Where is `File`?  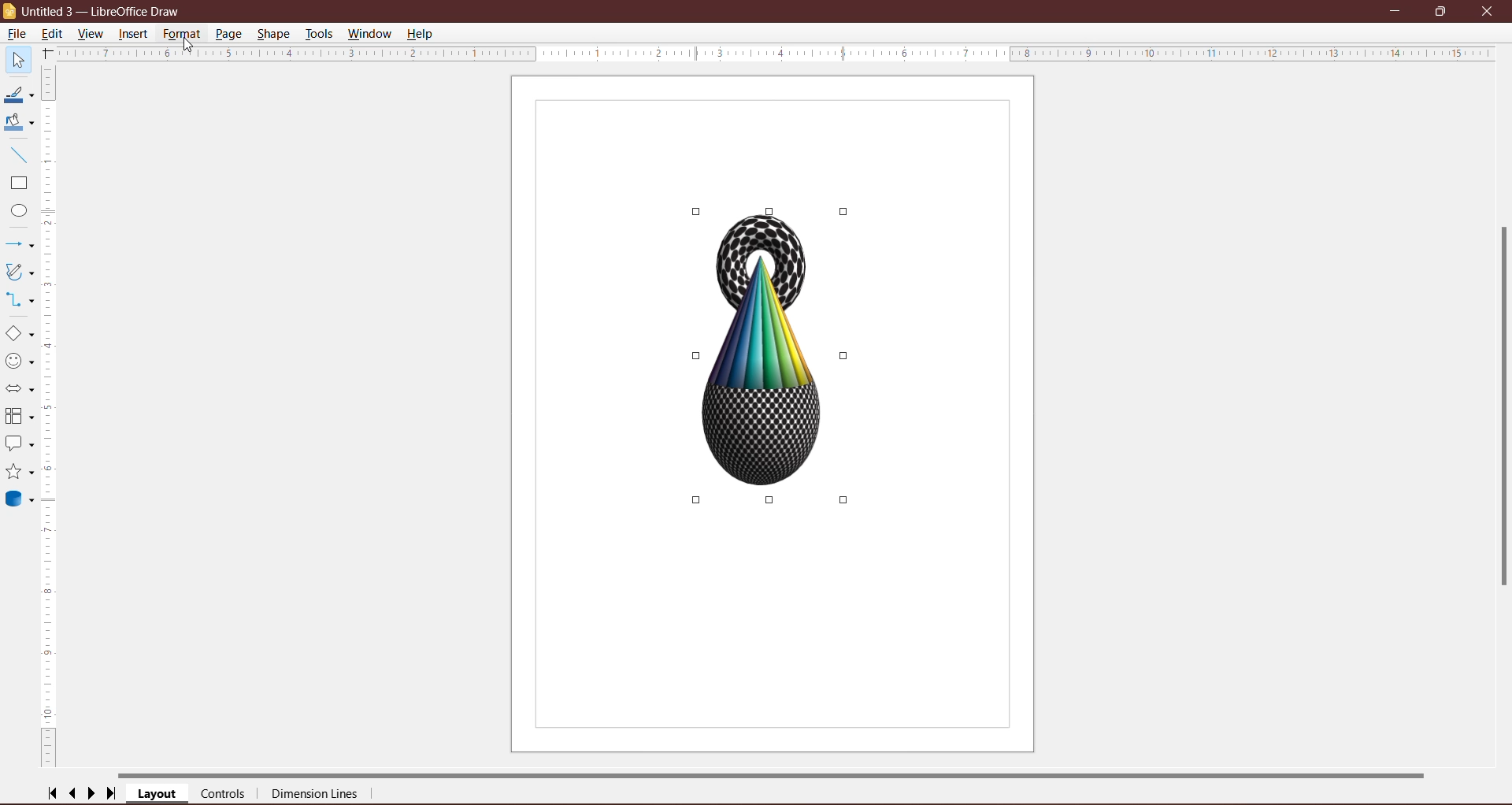 File is located at coordinates (18, 34).